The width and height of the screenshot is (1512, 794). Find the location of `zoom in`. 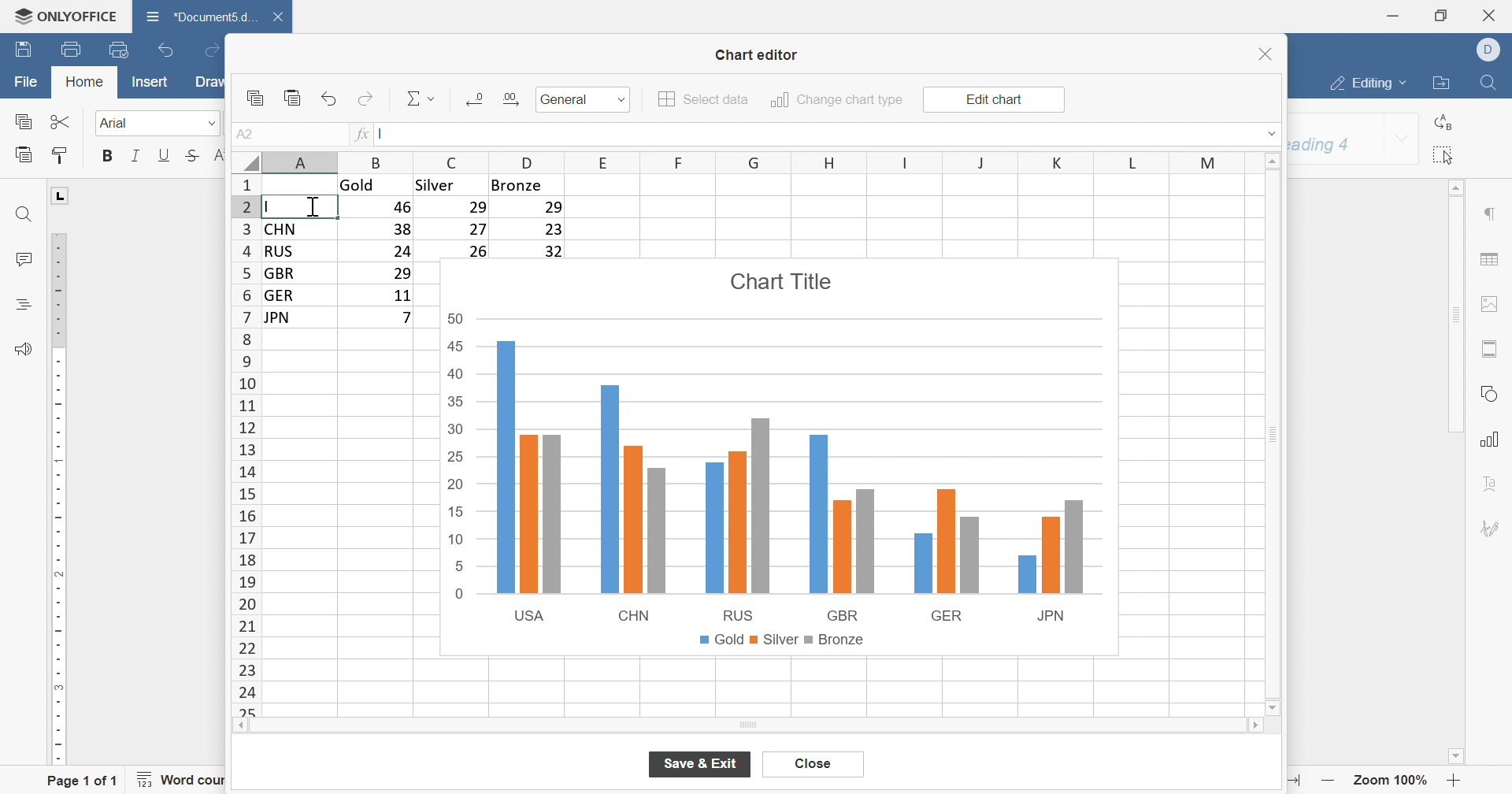

zoom in is located at coordinates (1455, 781).